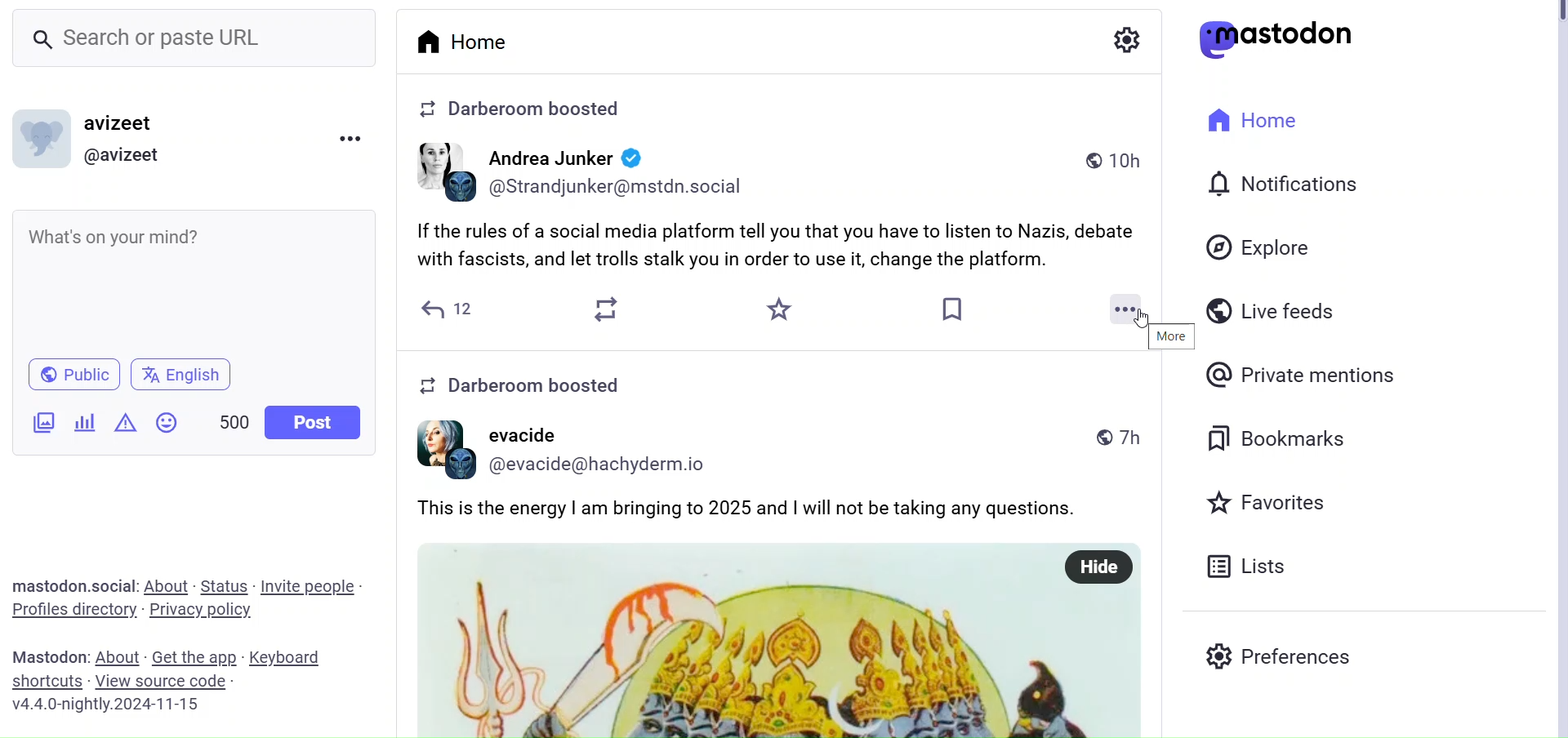 The image size is (1568, 738). I want to click on Bookmarks, so click(1275, 440).